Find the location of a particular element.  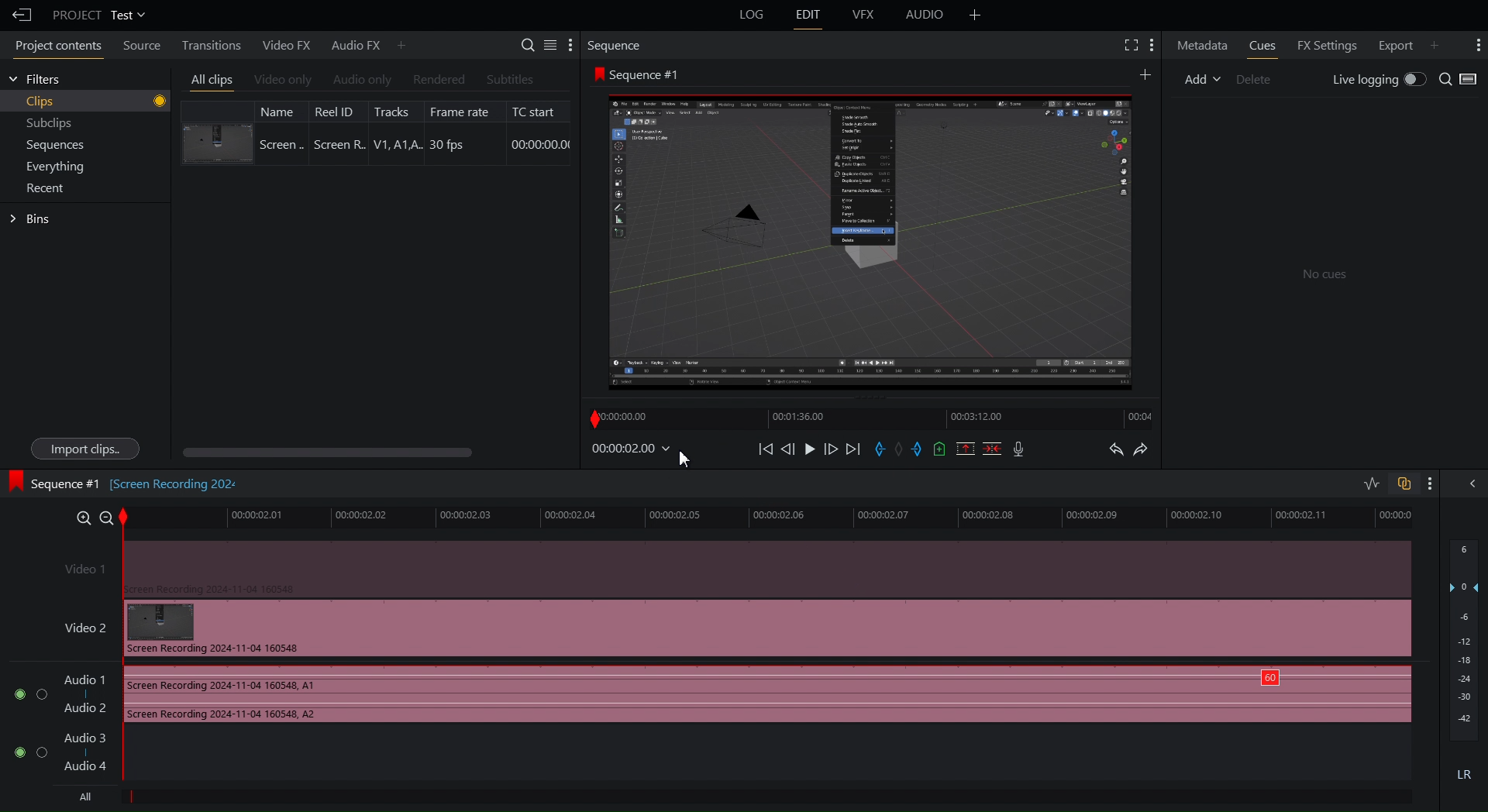

 is located at coordinates (60, 166).